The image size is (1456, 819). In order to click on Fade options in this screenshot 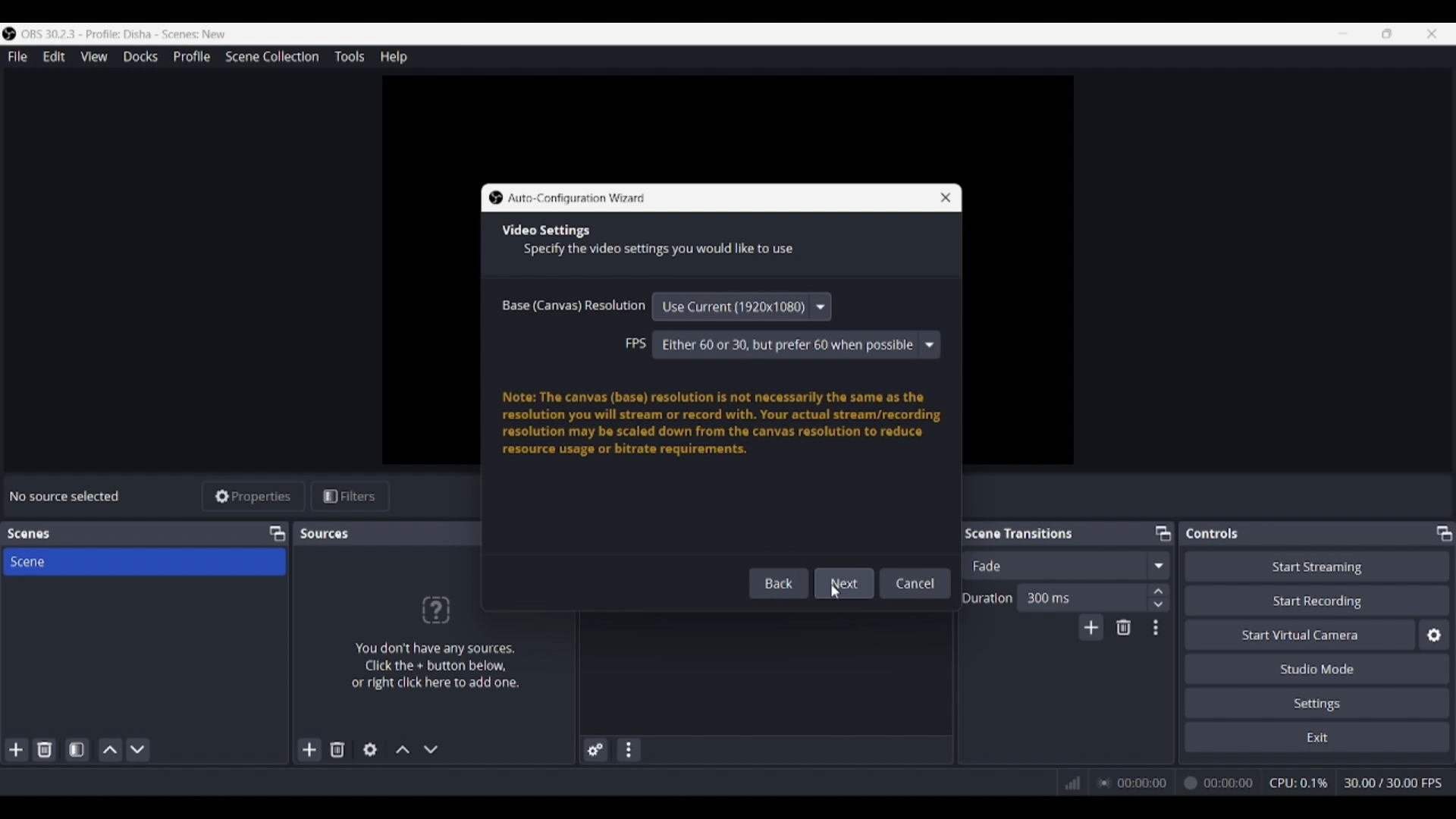, I will do `click(1158, 565)`.